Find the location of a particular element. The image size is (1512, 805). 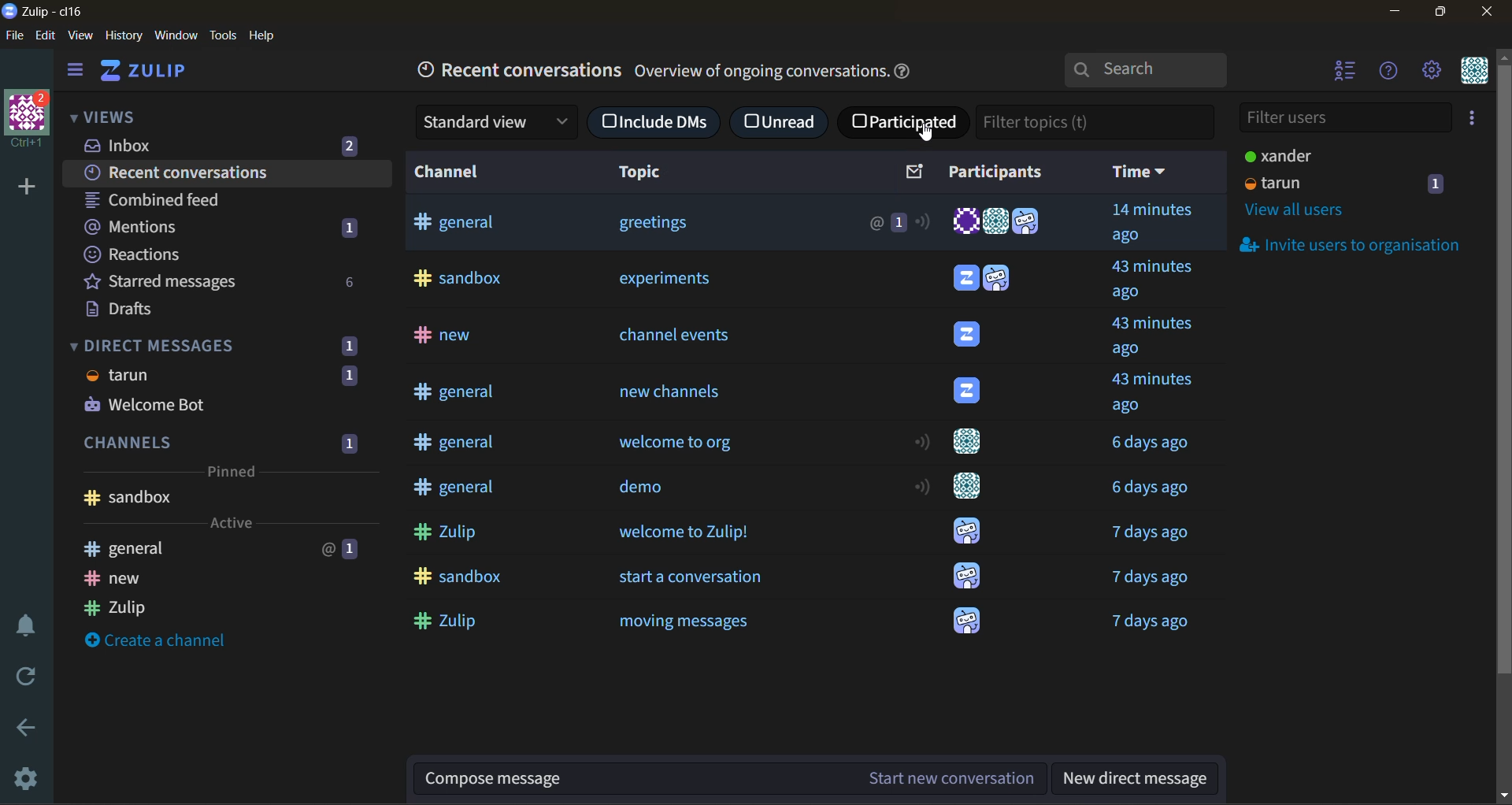

recent conversations is located at coordinates (228, 174).